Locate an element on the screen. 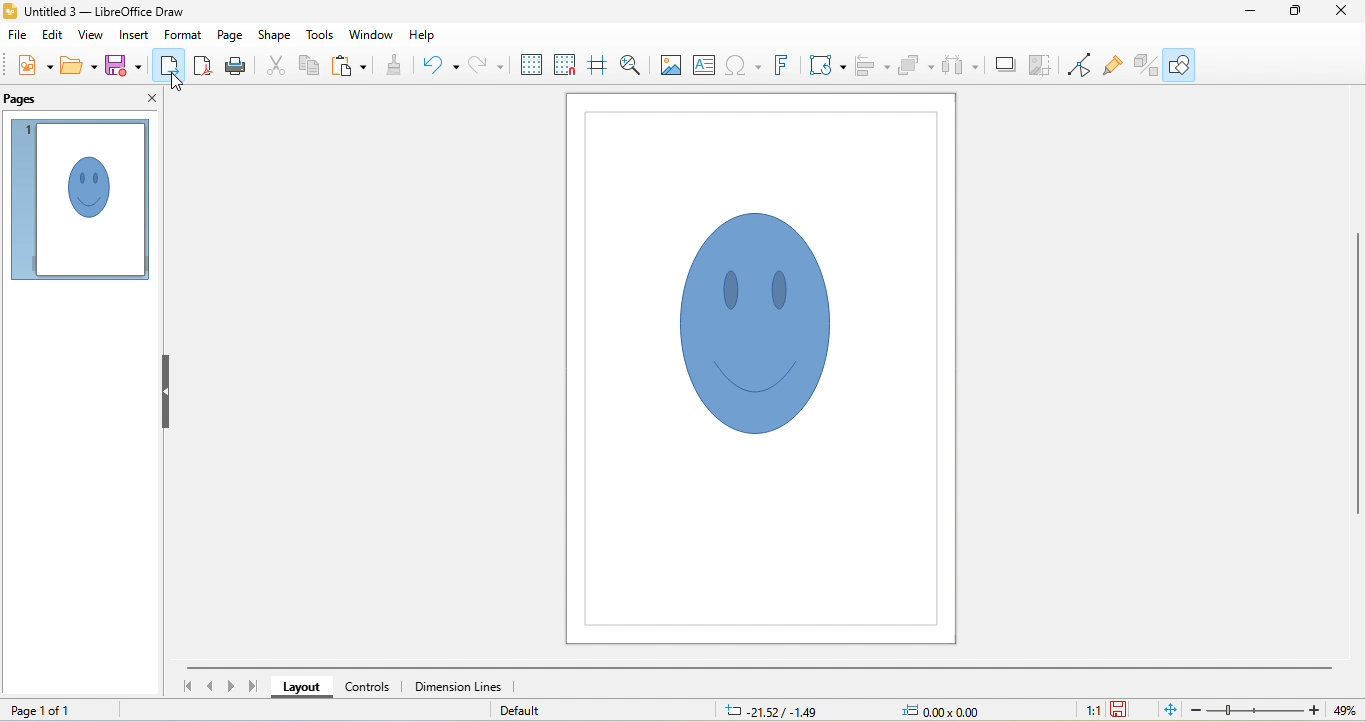 This screenshot has width=1366, height=722. page 1 of 1 is located at coordinates (42, 711).